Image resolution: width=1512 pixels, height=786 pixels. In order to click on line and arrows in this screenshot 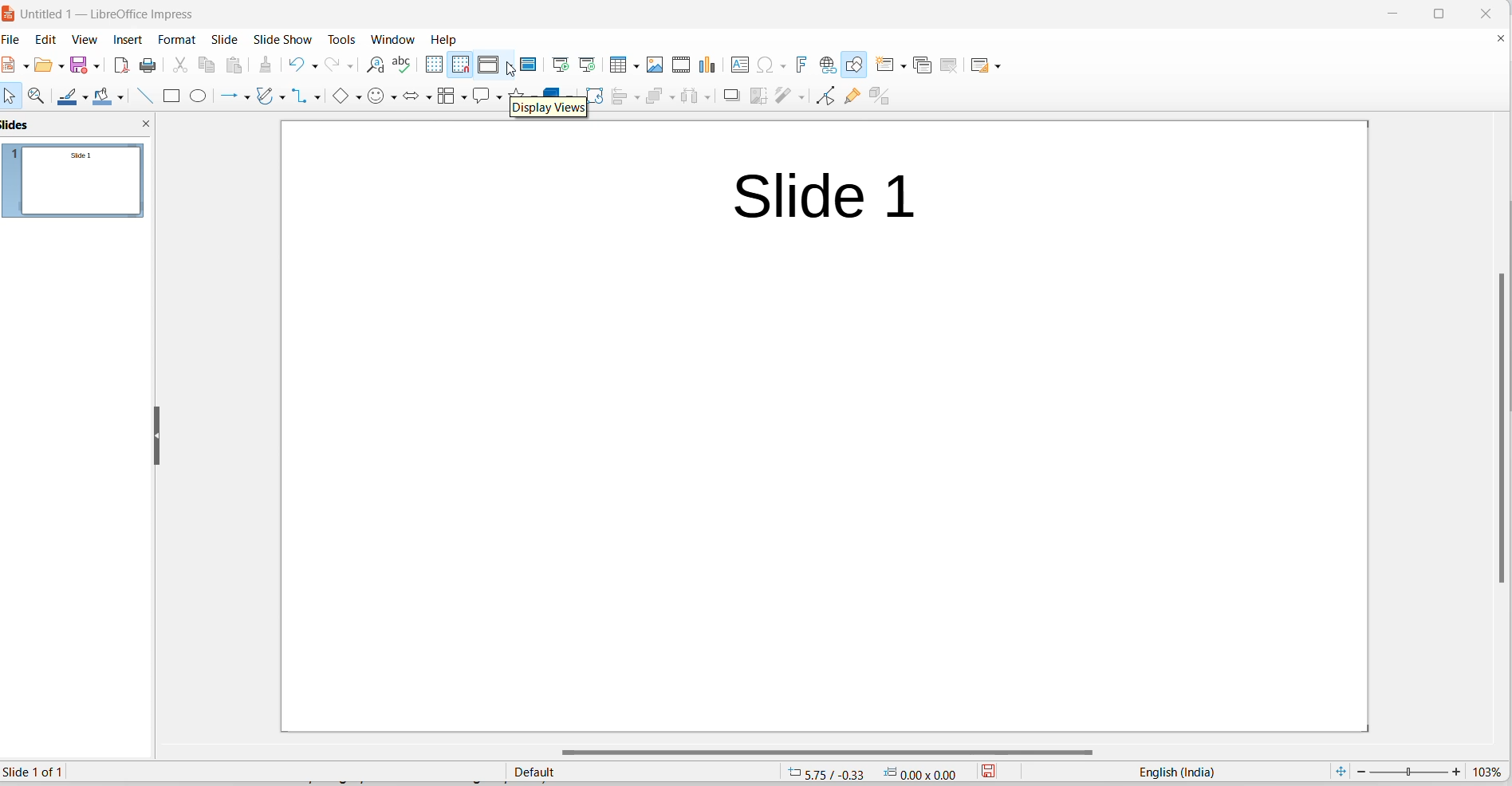, I will do `click(229, 97)`.